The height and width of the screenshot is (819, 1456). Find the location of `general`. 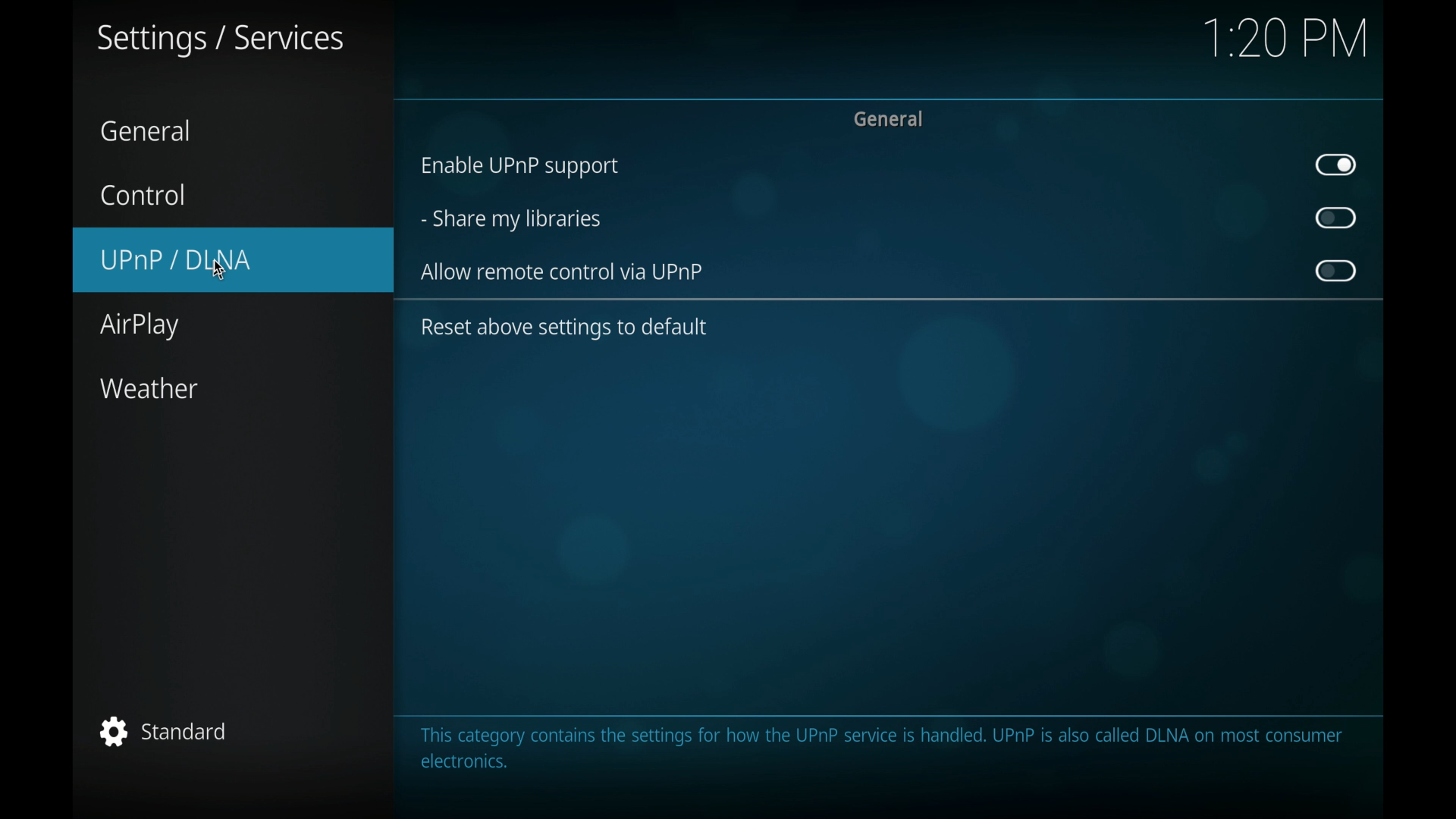

general is located at coordinates (149, 131).